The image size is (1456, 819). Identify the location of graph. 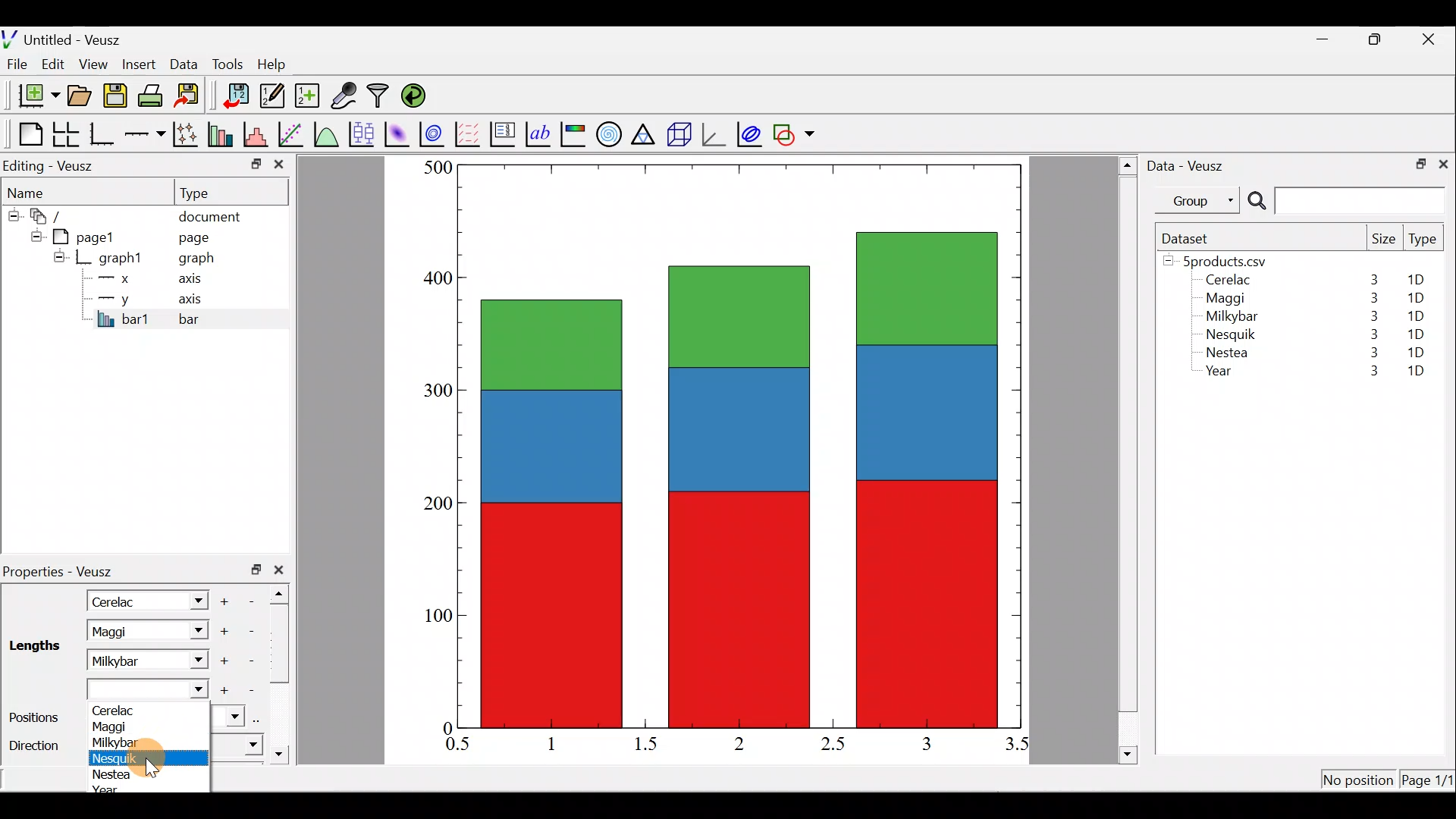
(196, 260).